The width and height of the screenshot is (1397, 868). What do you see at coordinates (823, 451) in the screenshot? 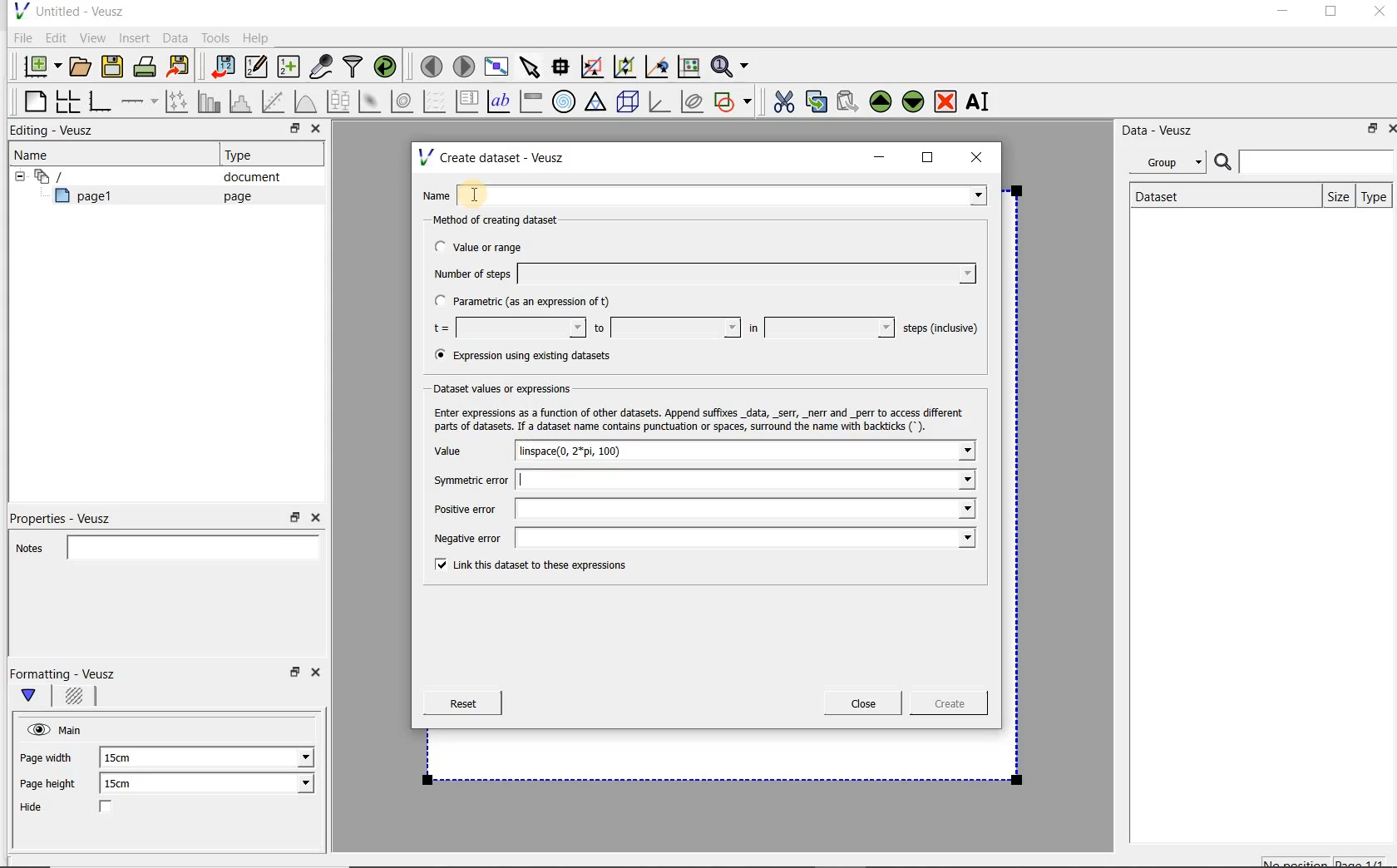
I see `Value input field` at bounding box center [823, 451].